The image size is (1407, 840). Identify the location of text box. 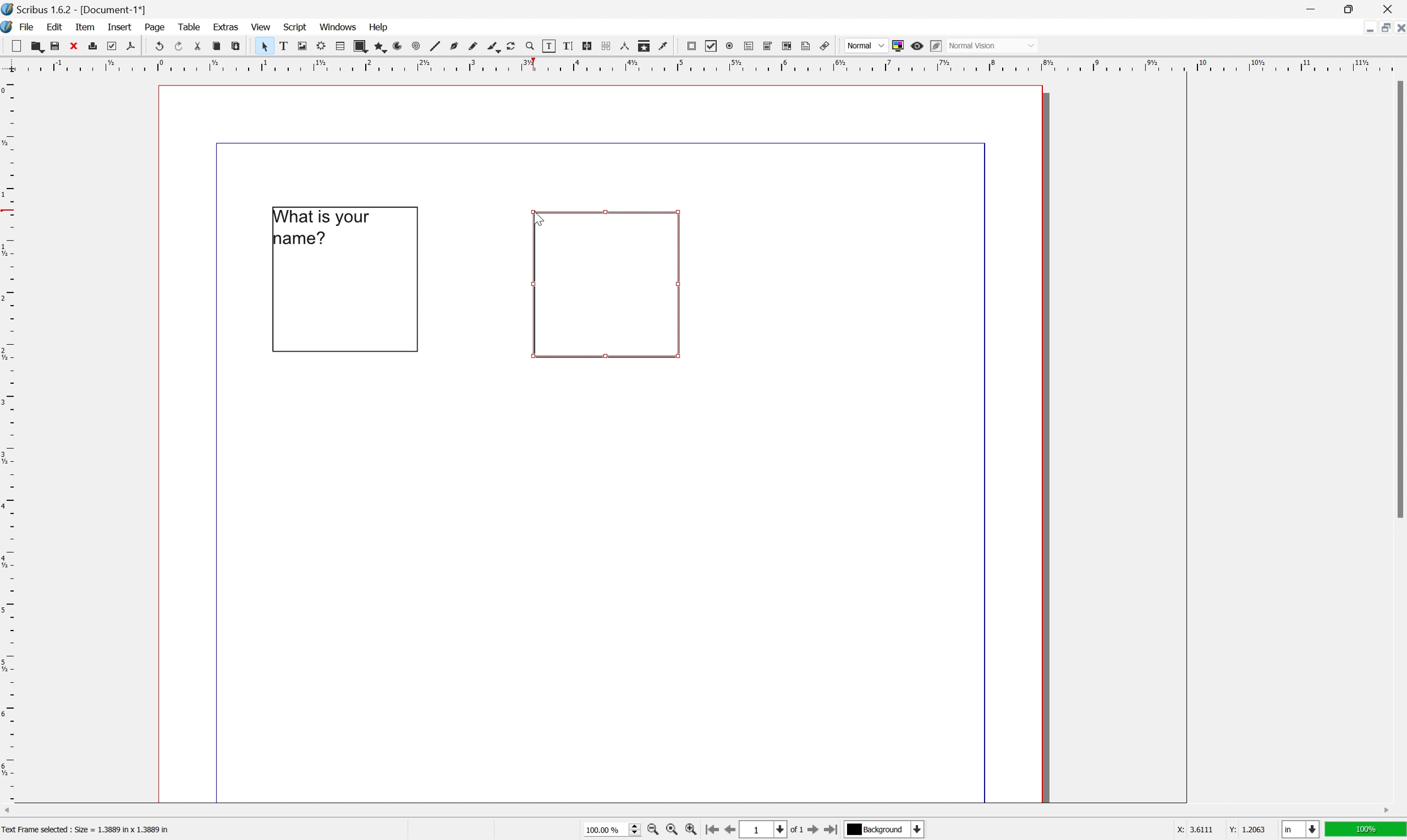
(604, 282).